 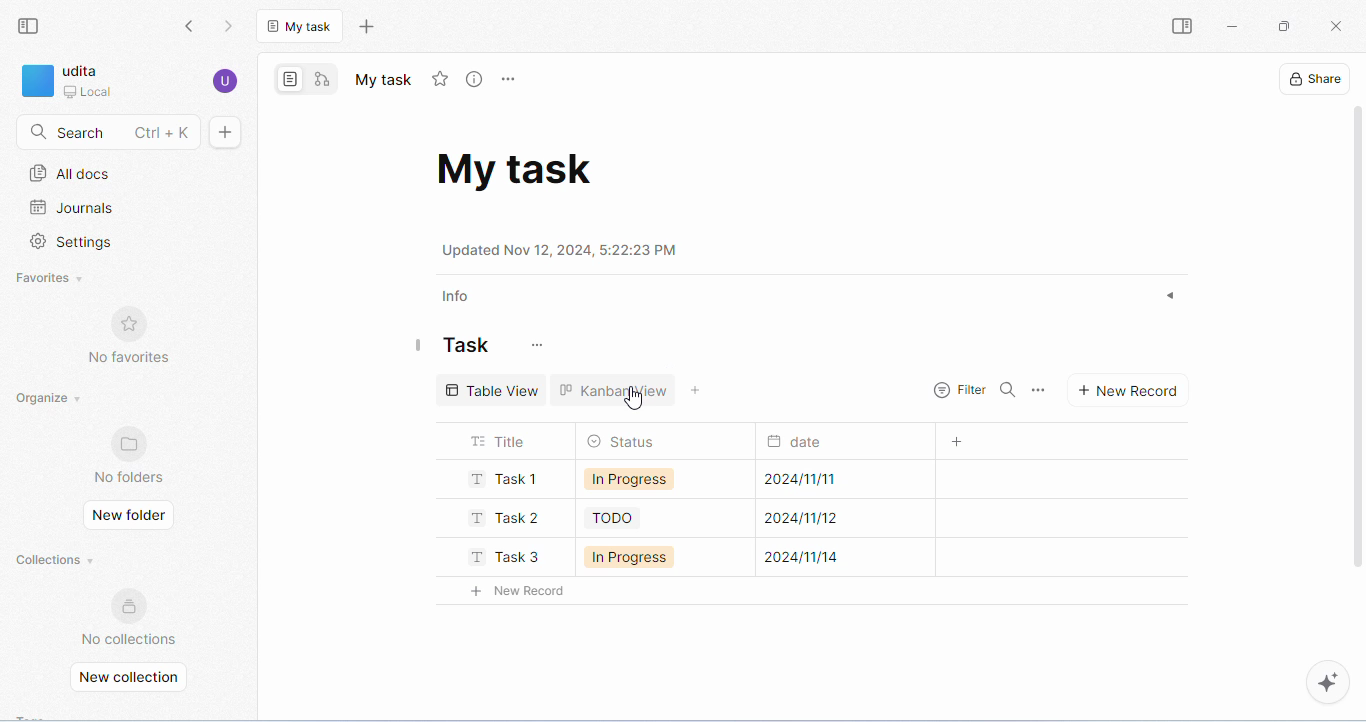 What do you see at coordinates (639, 398) in the screenshot?
I see `cursor` at bounding box center [639, 398].